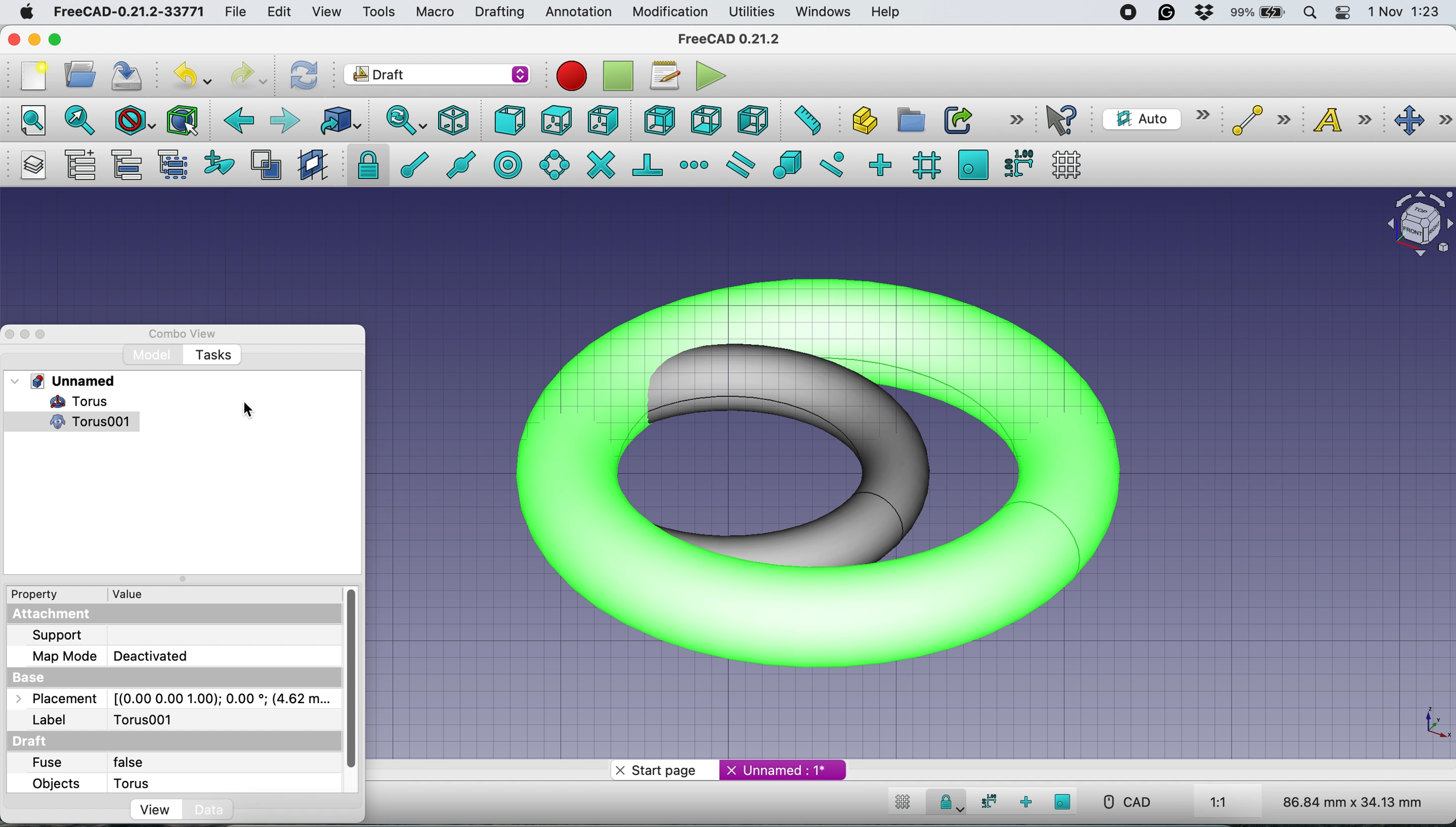  I want to click on bounding box, so click(183, 121).